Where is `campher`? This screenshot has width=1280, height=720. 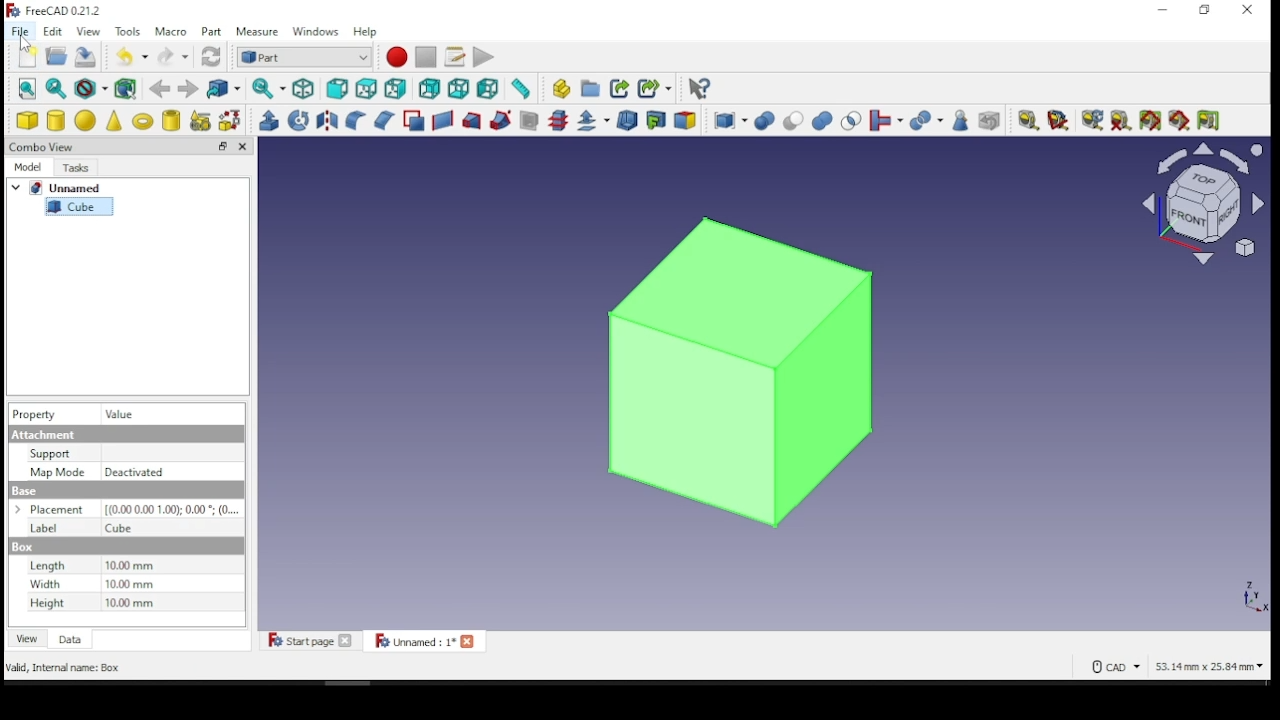 campher is located at coordinates (383, 119).